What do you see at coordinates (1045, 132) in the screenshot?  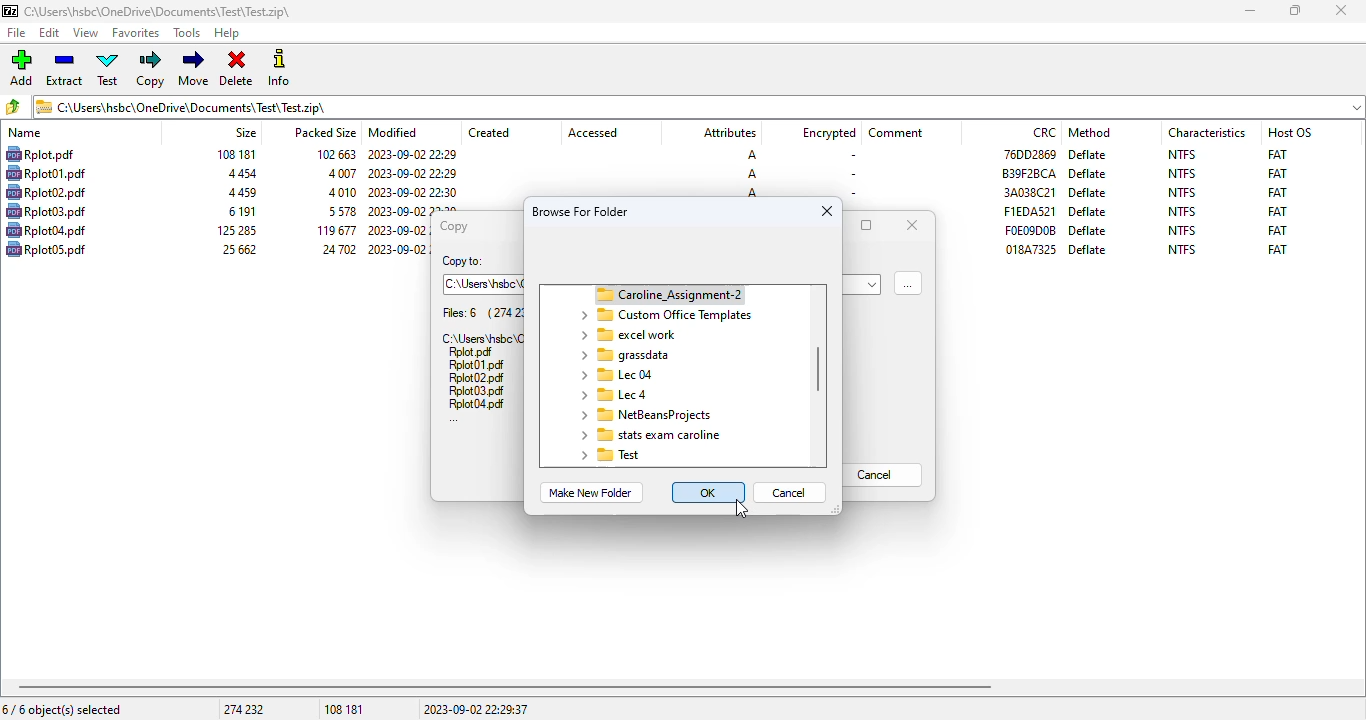 I see `CRC` at bounding box center [1045, 132].